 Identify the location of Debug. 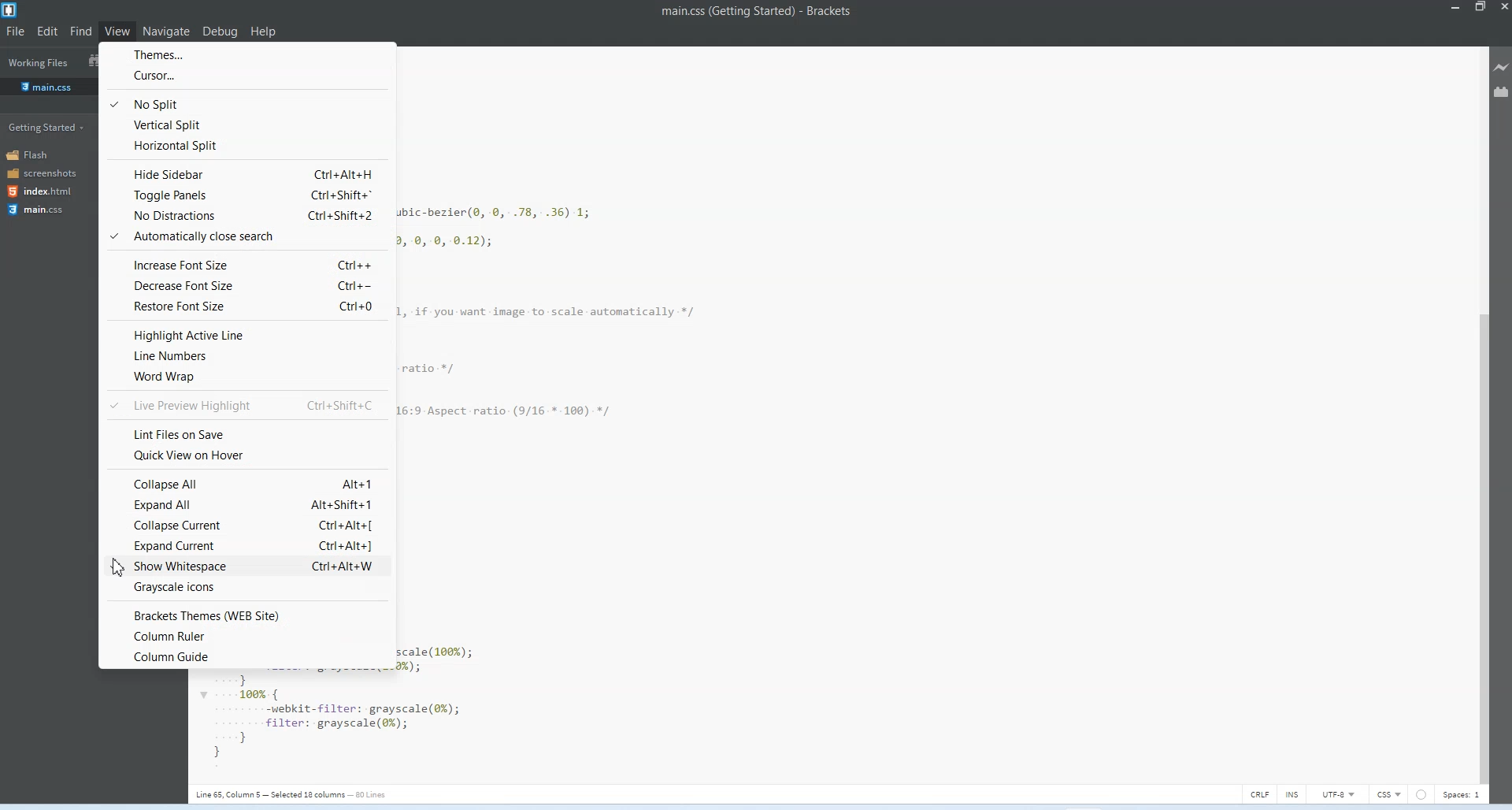
(219, 31).